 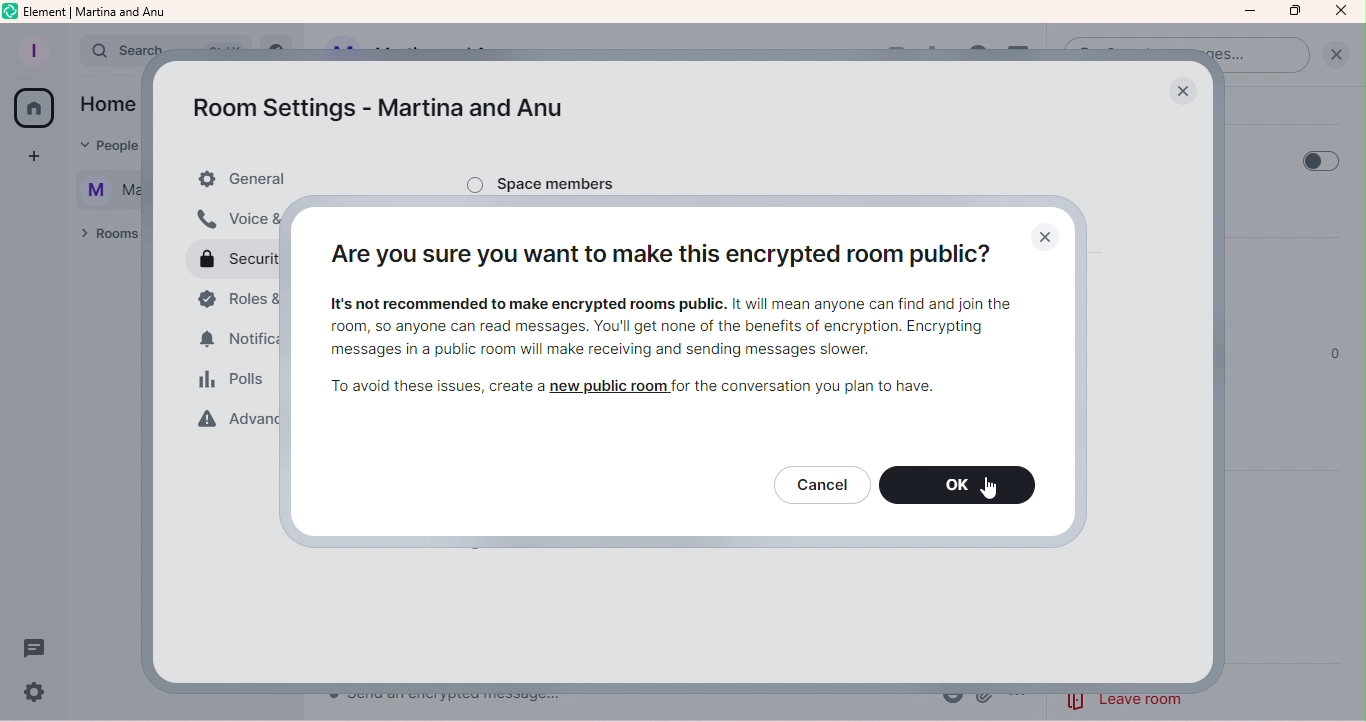 I want to click on Minimize, so click(x=1251, y=14).